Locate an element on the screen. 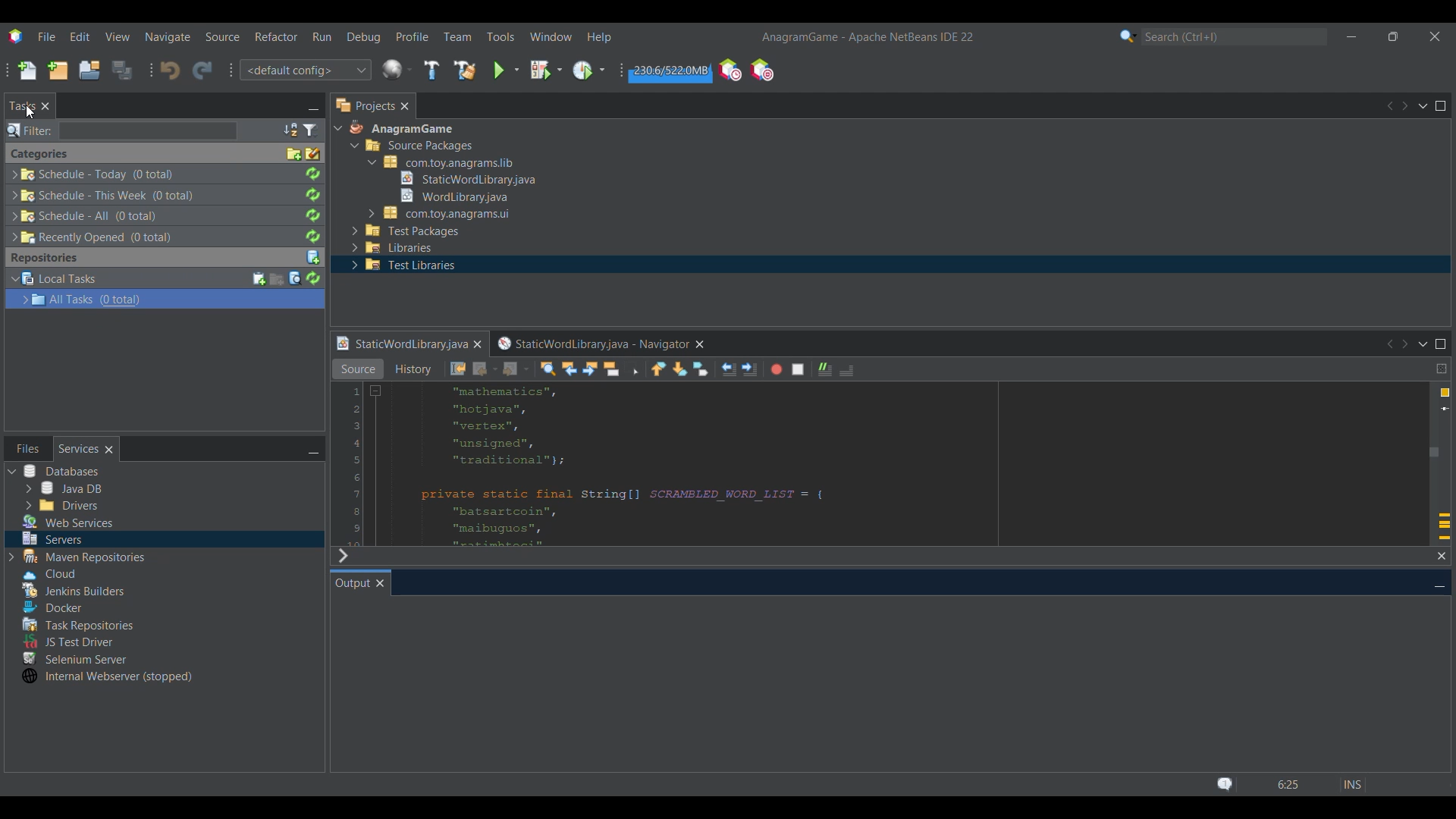   is located at coordinates (76, 657).